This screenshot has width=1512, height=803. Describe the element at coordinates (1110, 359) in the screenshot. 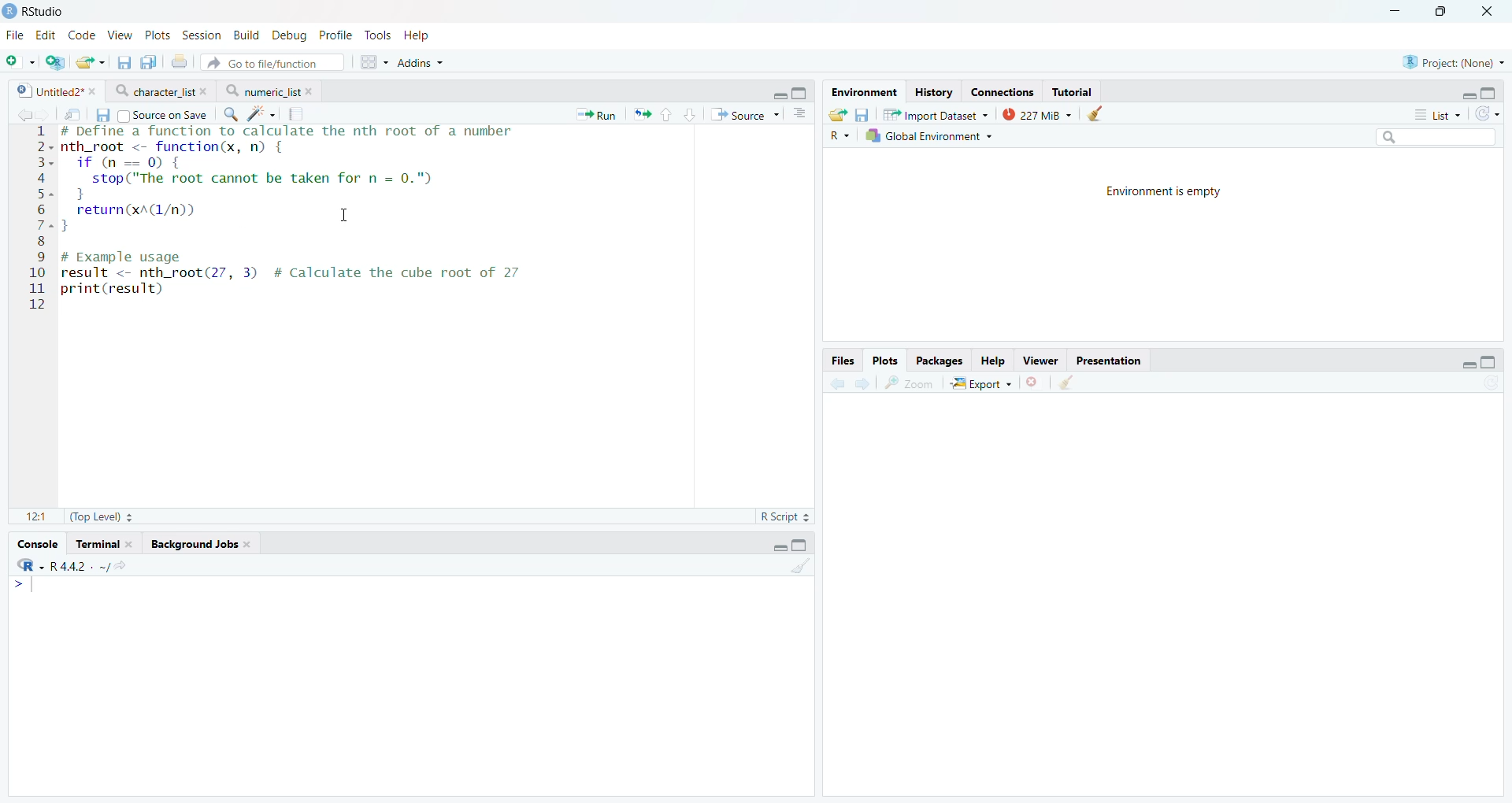

I see `Presentation` at that location.